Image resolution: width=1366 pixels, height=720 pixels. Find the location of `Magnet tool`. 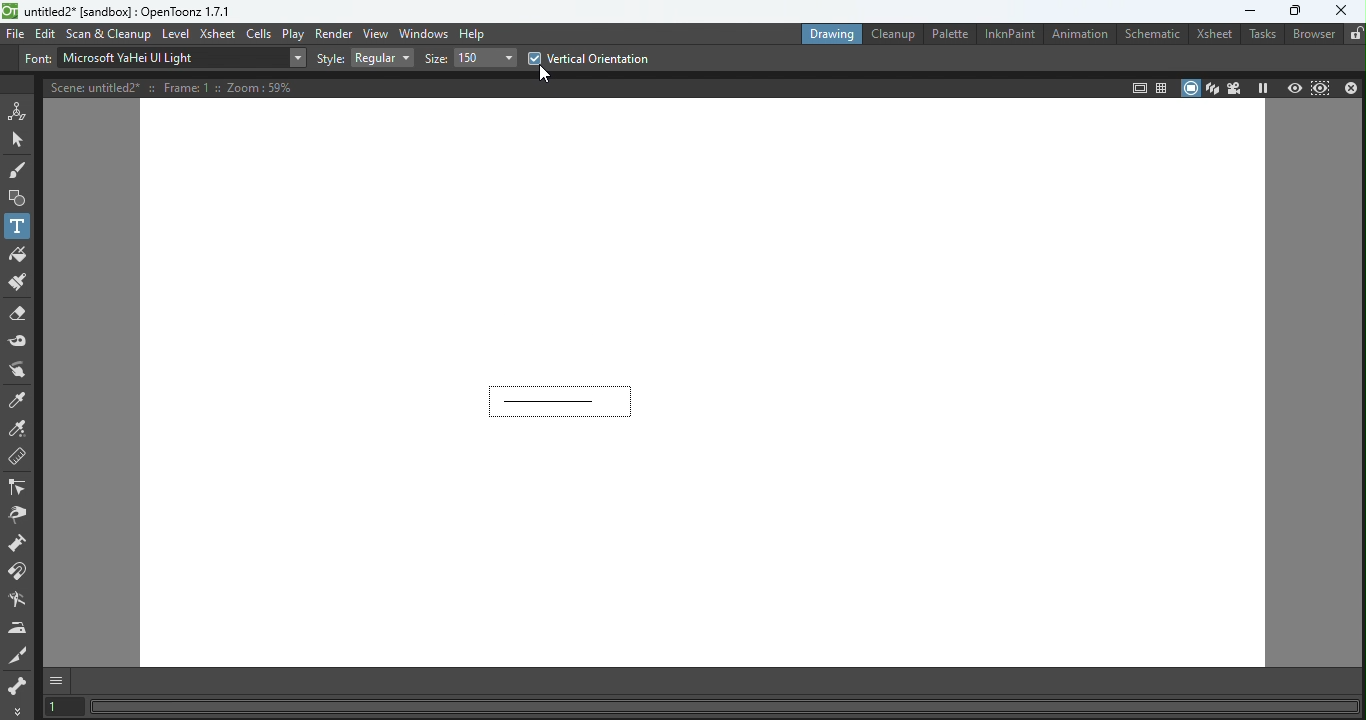

Magnet tool is located at coordinates (18, 570).